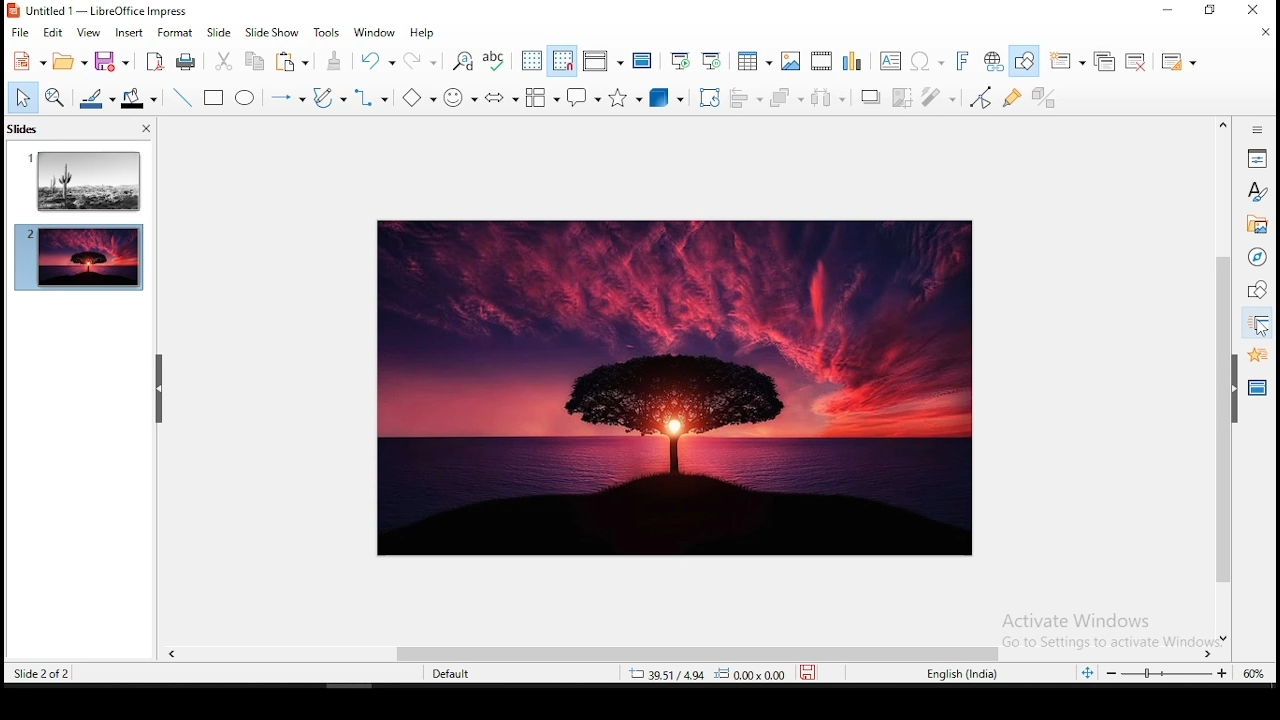 This screenshot has width=1280, height=720. I want to click on slide transition, so click(1259, 326).